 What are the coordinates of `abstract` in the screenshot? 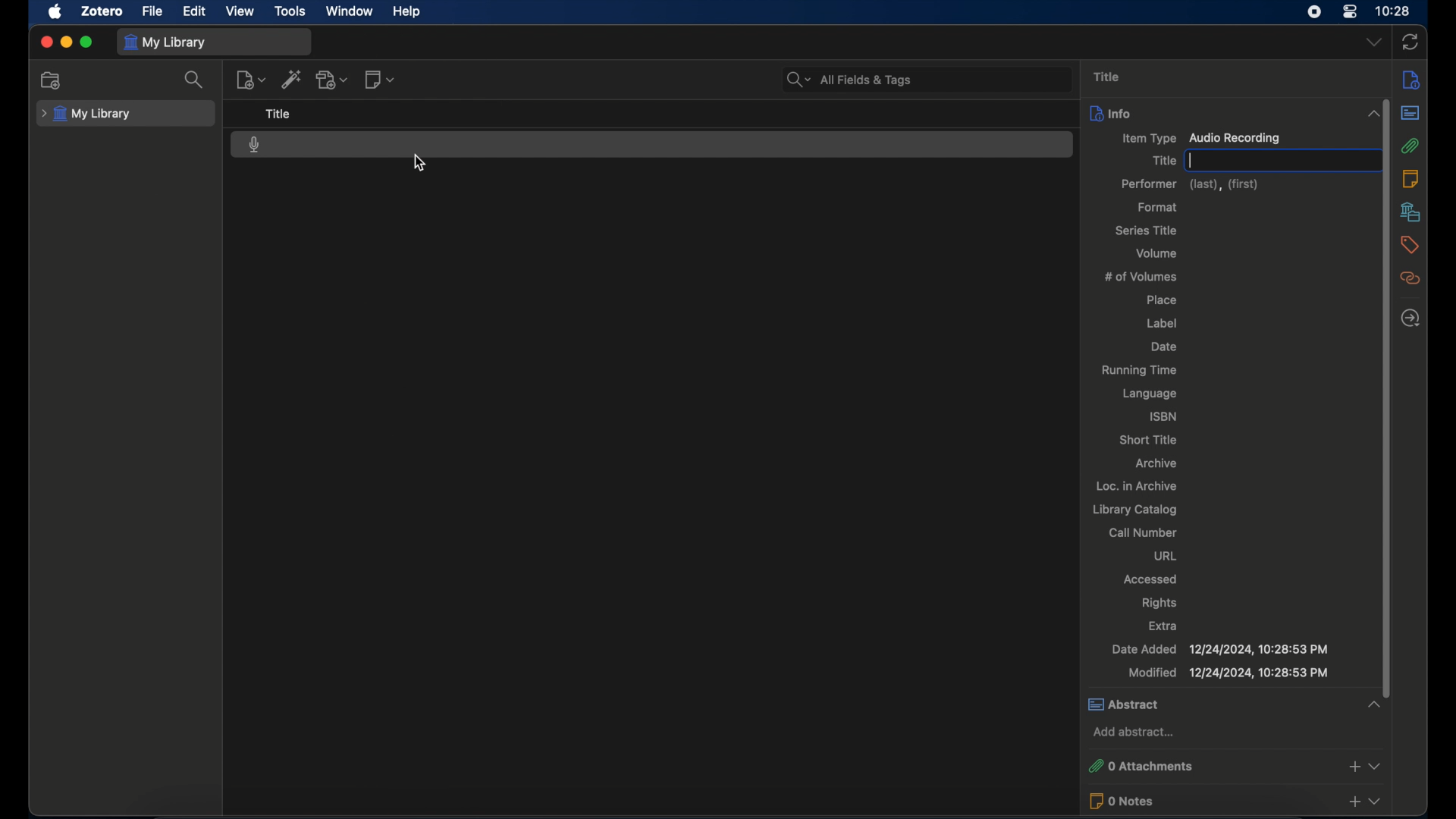 It's located at (1235, 704).